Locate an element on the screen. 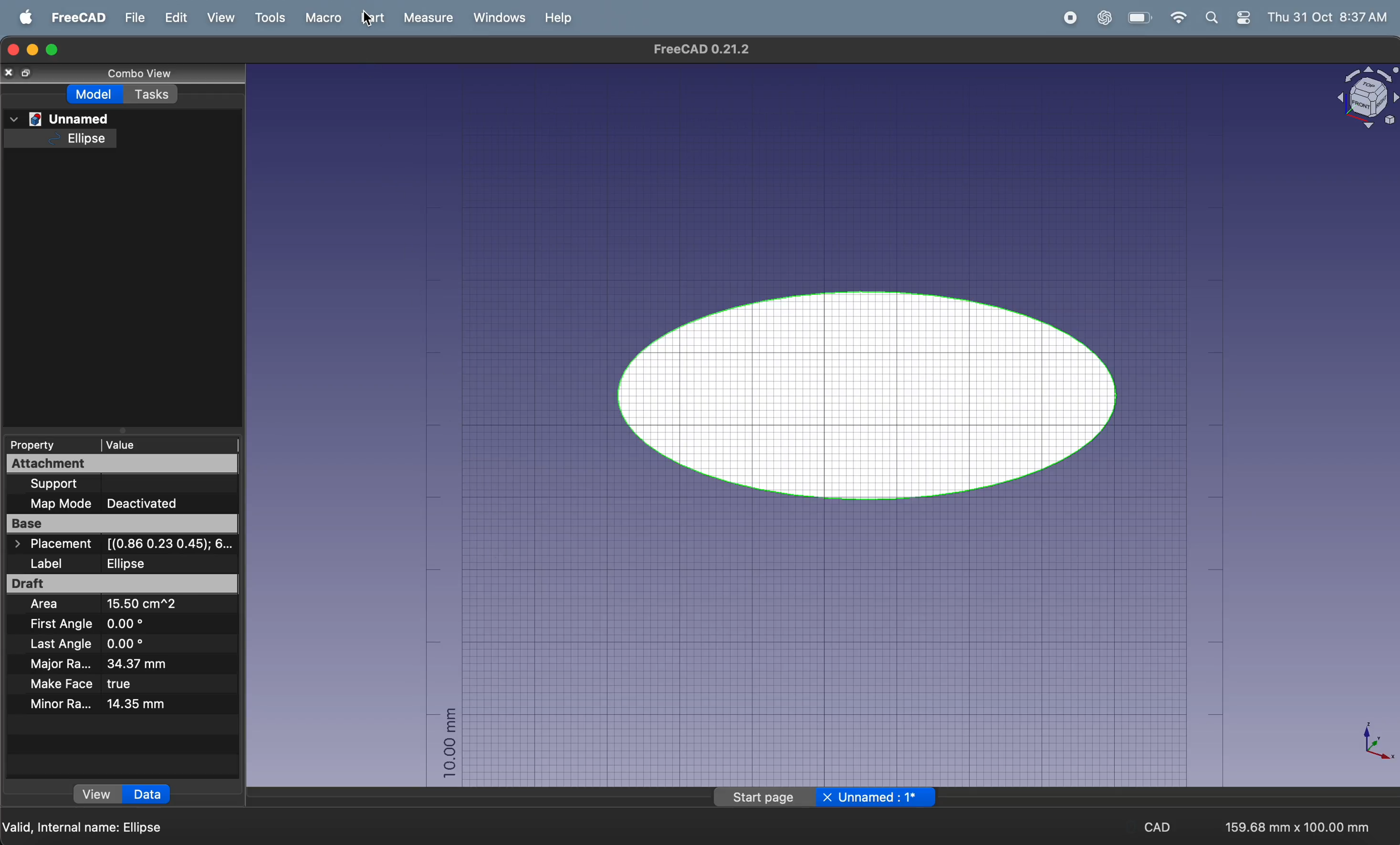  part is located at coordinates (369, 18).